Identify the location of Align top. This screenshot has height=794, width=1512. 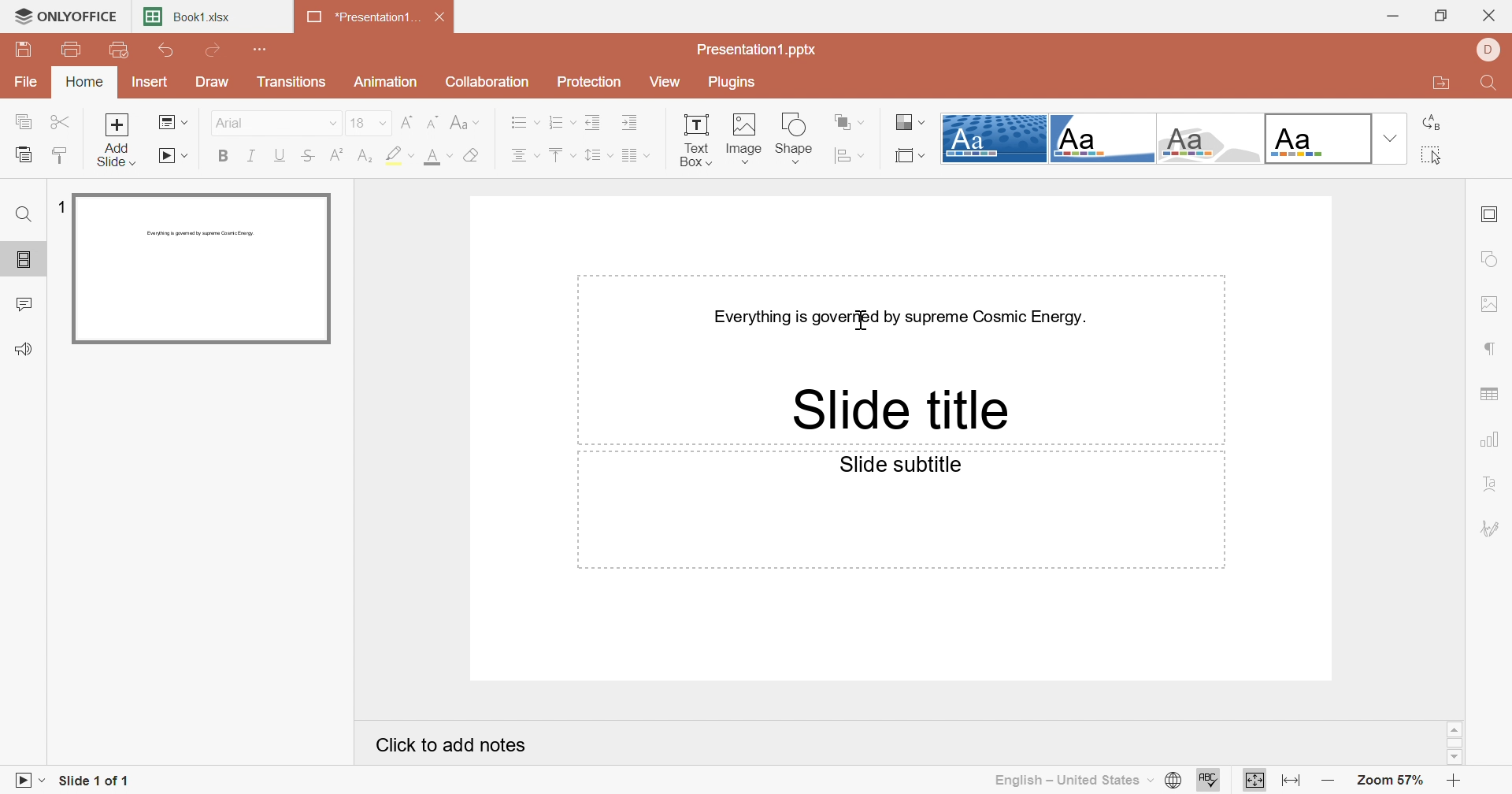
(563, 154).